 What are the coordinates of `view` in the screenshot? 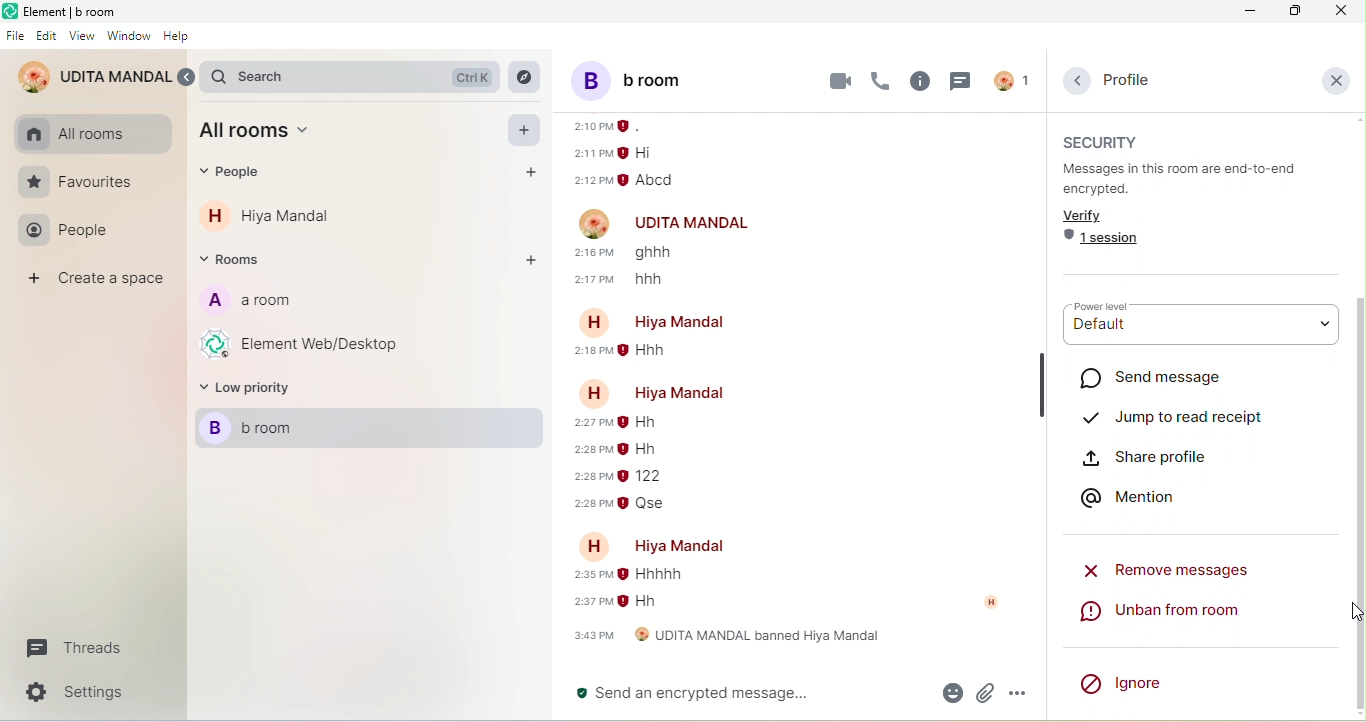 It's located at (84, 35).